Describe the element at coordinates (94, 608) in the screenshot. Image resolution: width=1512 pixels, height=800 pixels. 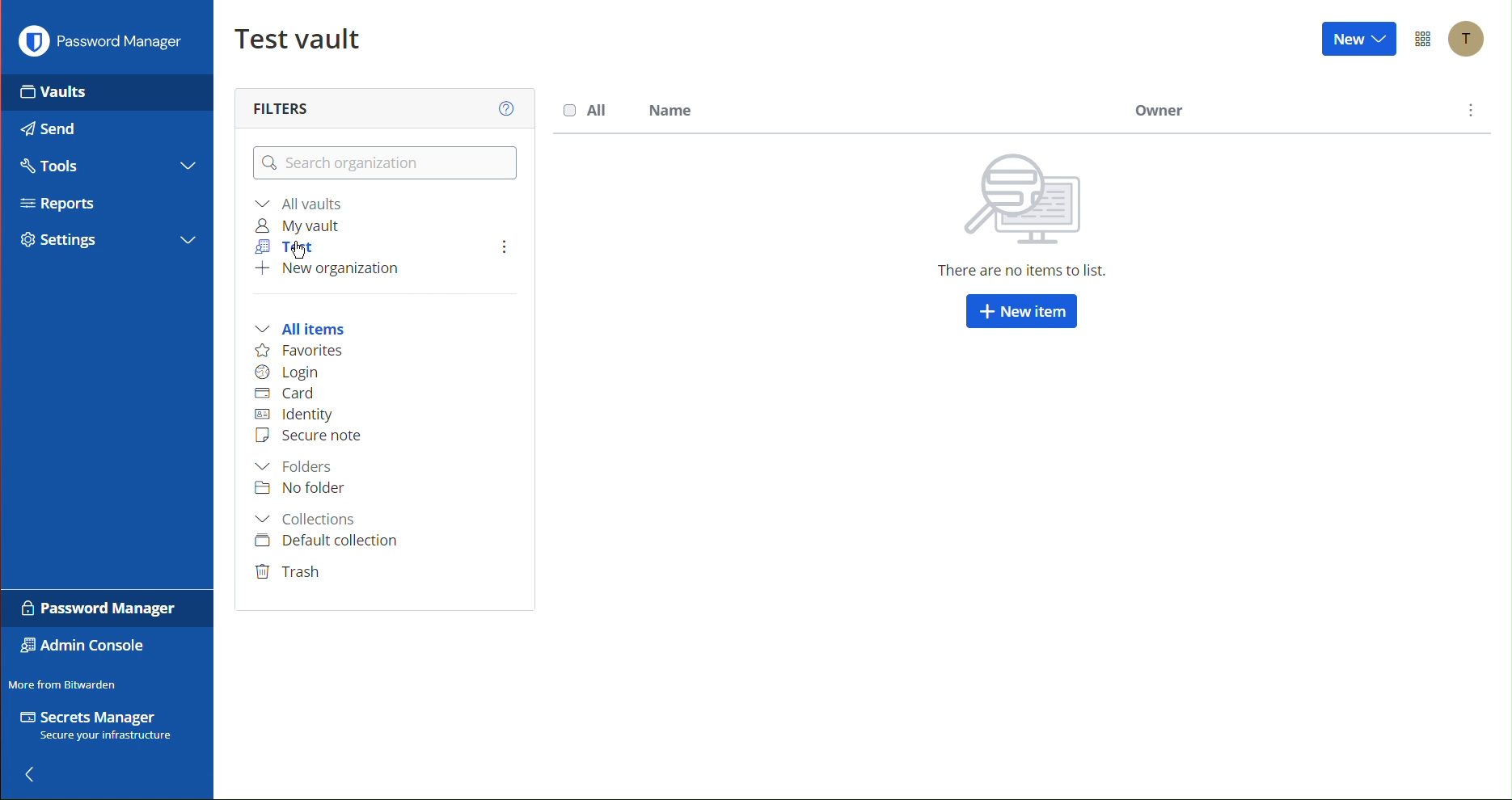
I see `Password Manager` at that location.